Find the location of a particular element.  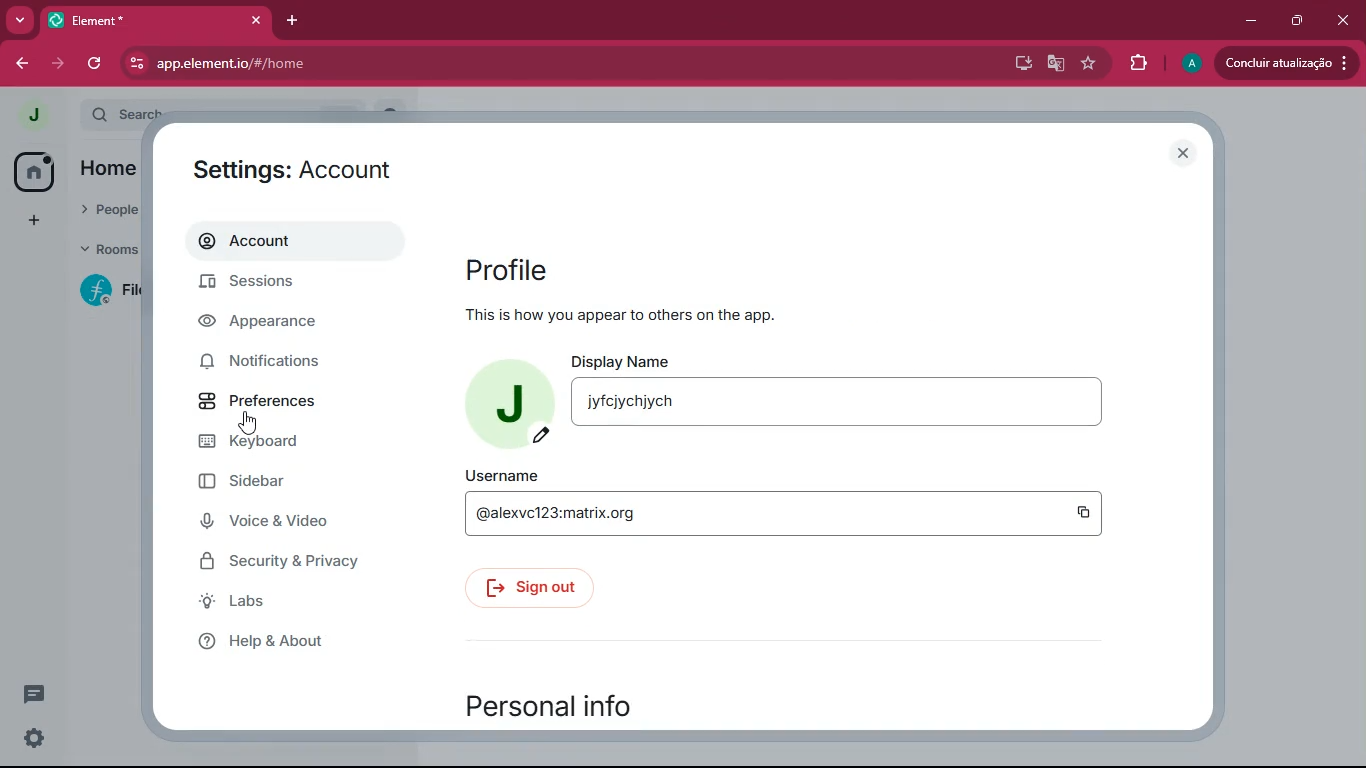

This is how you appear to others on the app. is located at coordinates (657, 317).